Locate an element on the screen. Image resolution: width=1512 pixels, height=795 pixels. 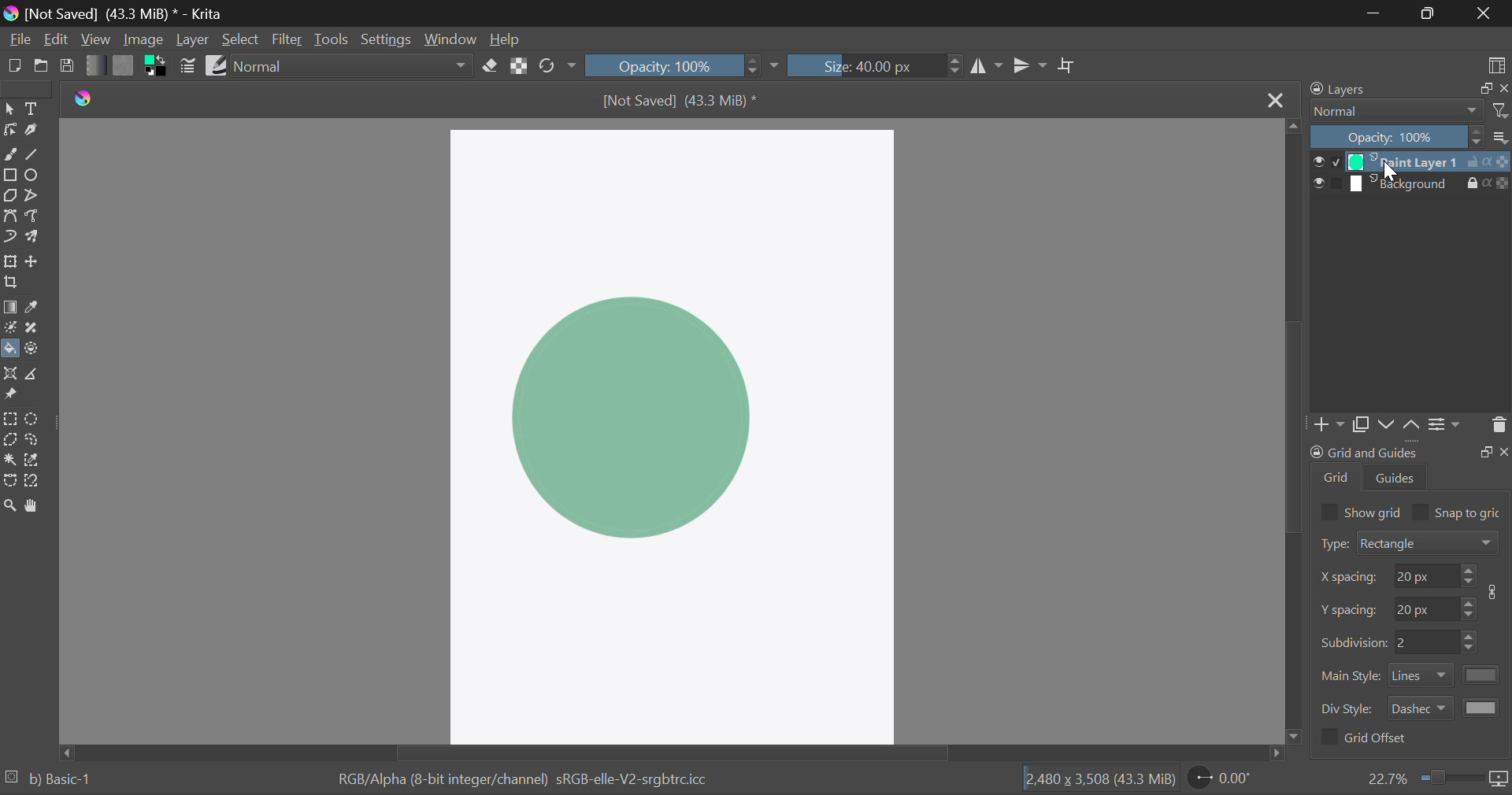
 is located at coordinates (68, 751).